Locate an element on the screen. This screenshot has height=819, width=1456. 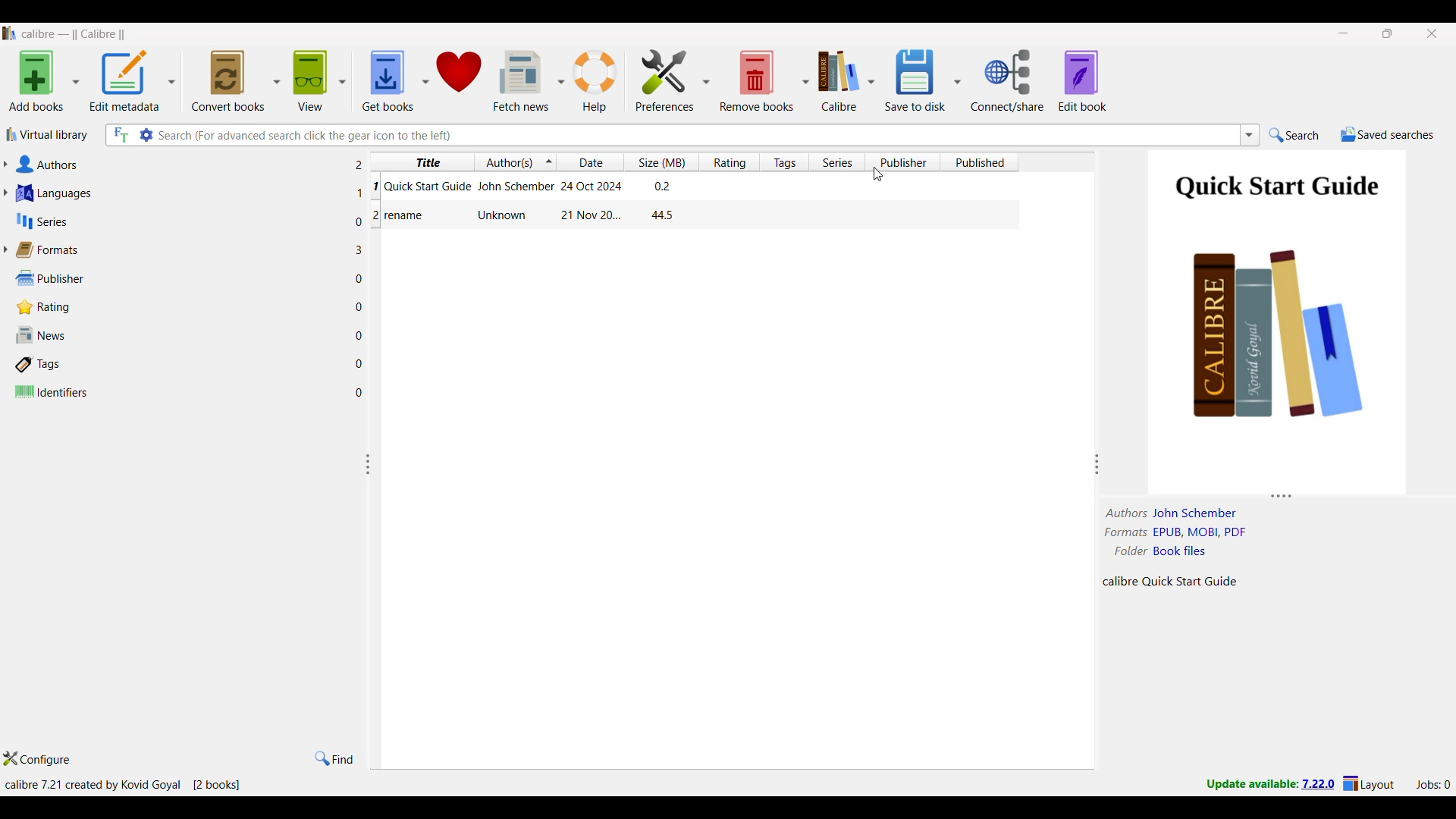
Title is located at coordinates (428, 185).